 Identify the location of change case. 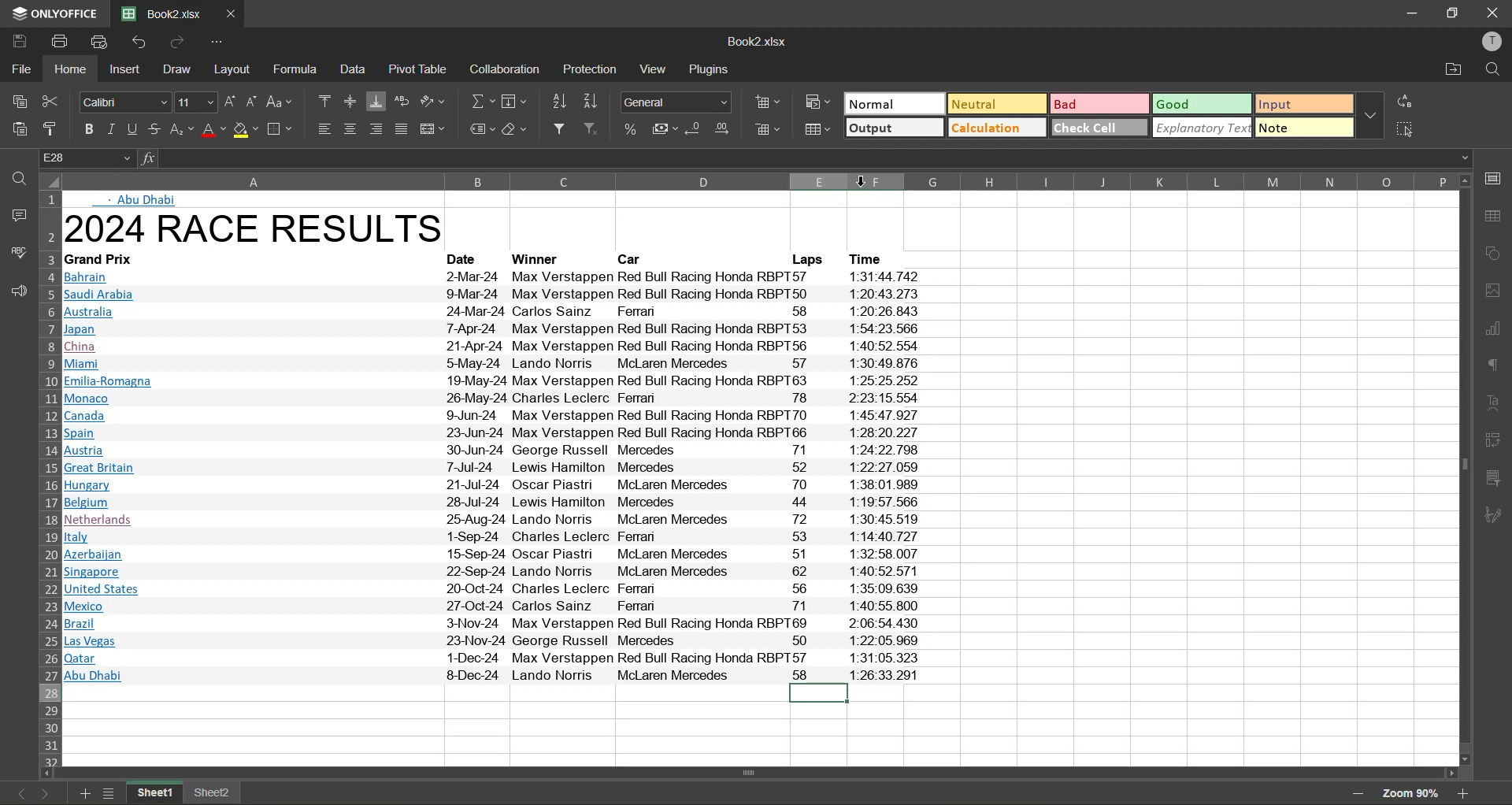
(280, 102).